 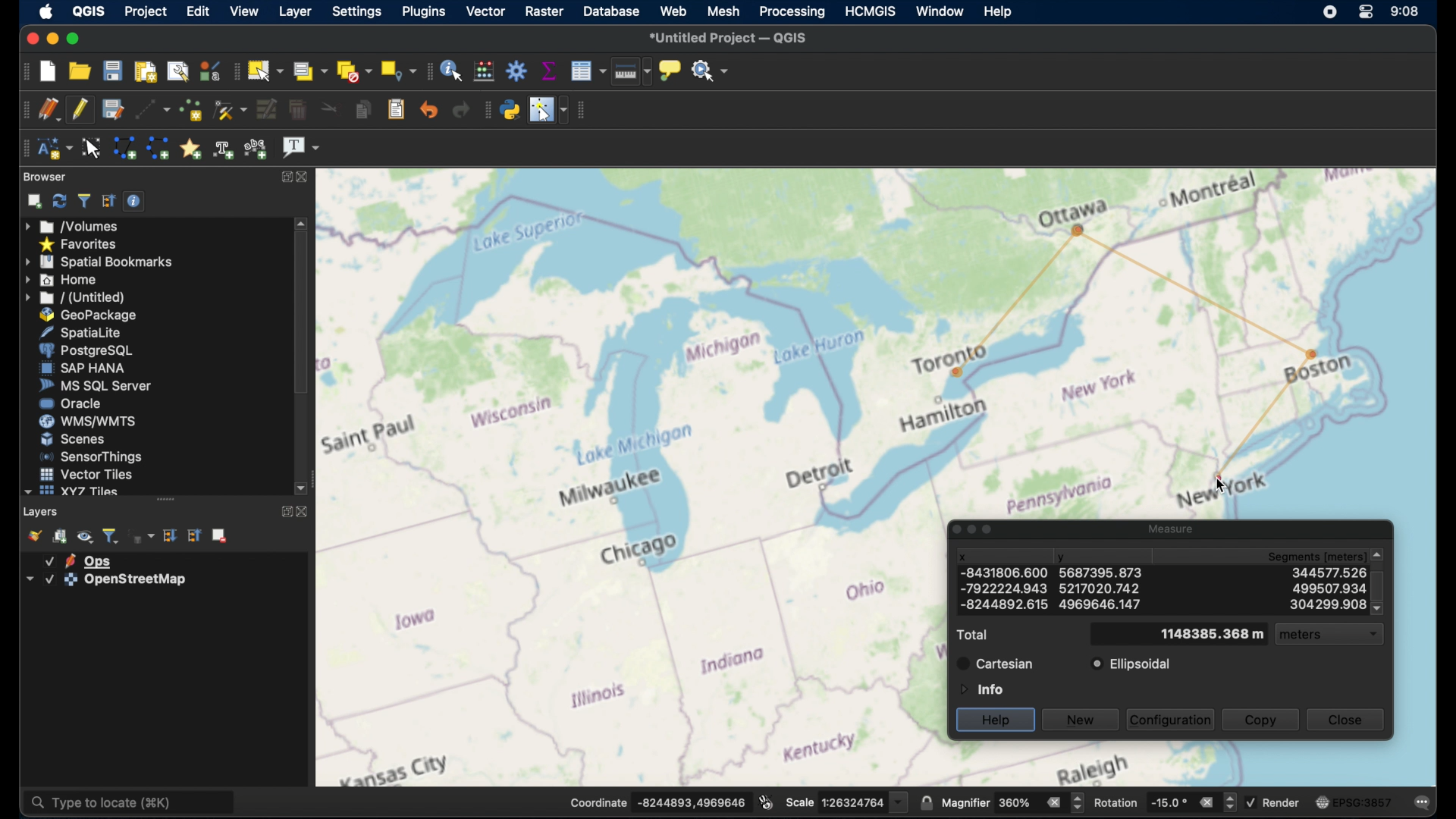 What do you see at coordinates (302, 223) in the screenshot?
I see `scroll up arrow` at bounding box center [302, 223].